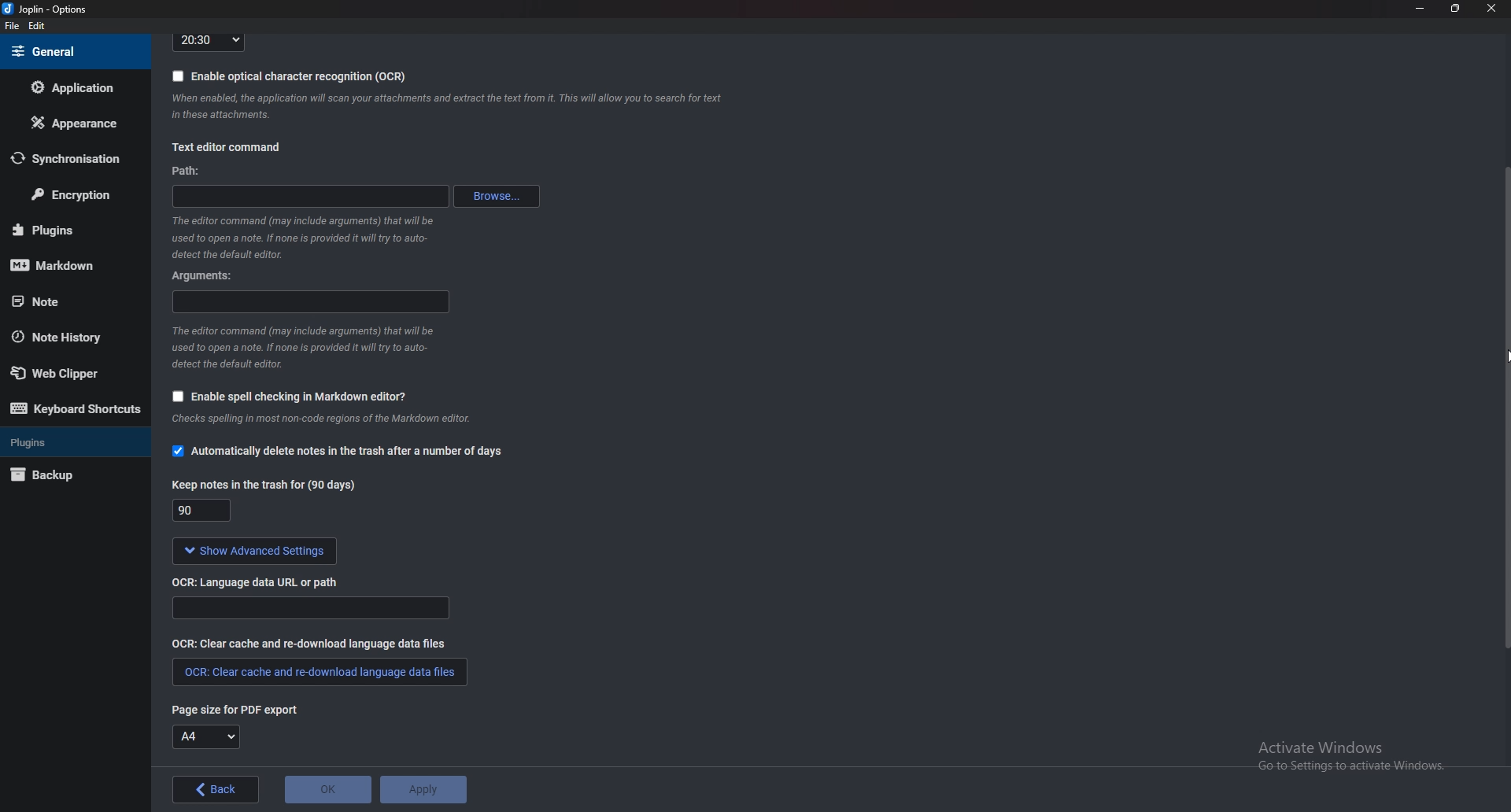 The height and width of the screenshot is (812, 1511). Describe the element at coordinates (75, 409) in the screenshot. I see `Keyboard shortcuts` at that location.